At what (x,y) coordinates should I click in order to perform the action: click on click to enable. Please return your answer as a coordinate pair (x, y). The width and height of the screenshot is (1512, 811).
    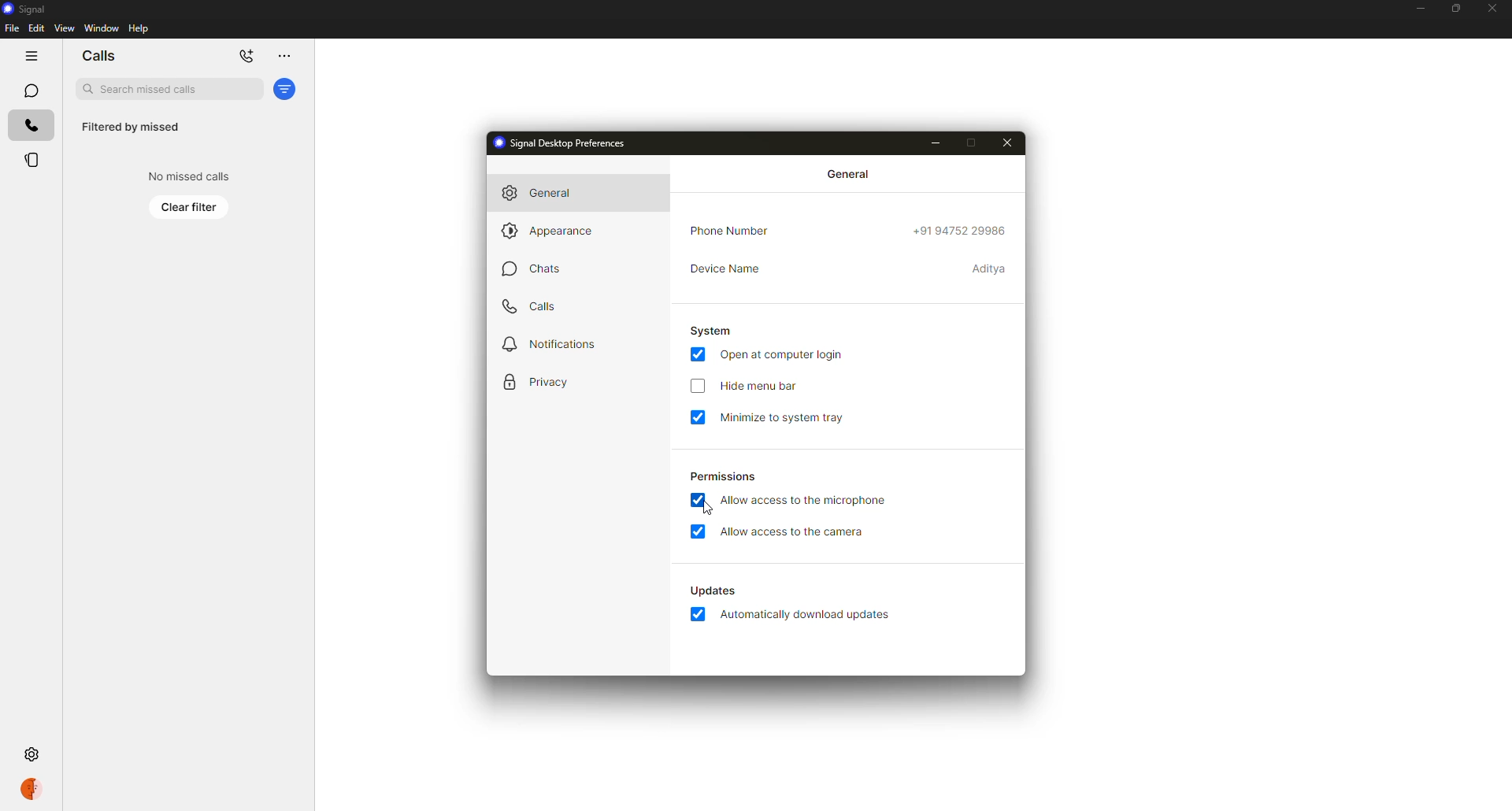
    Looking at the image, I should click on (696, 386).